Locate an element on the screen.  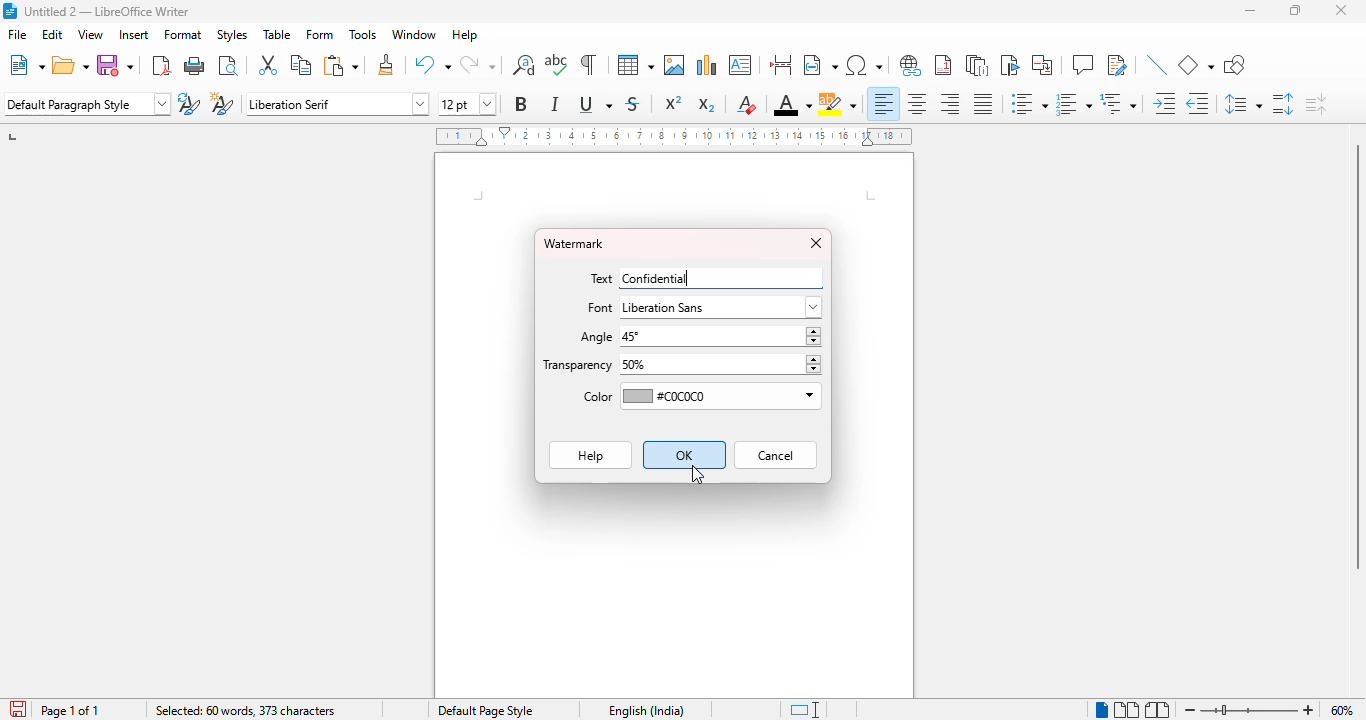
bold is located at coordinates (520, 103).